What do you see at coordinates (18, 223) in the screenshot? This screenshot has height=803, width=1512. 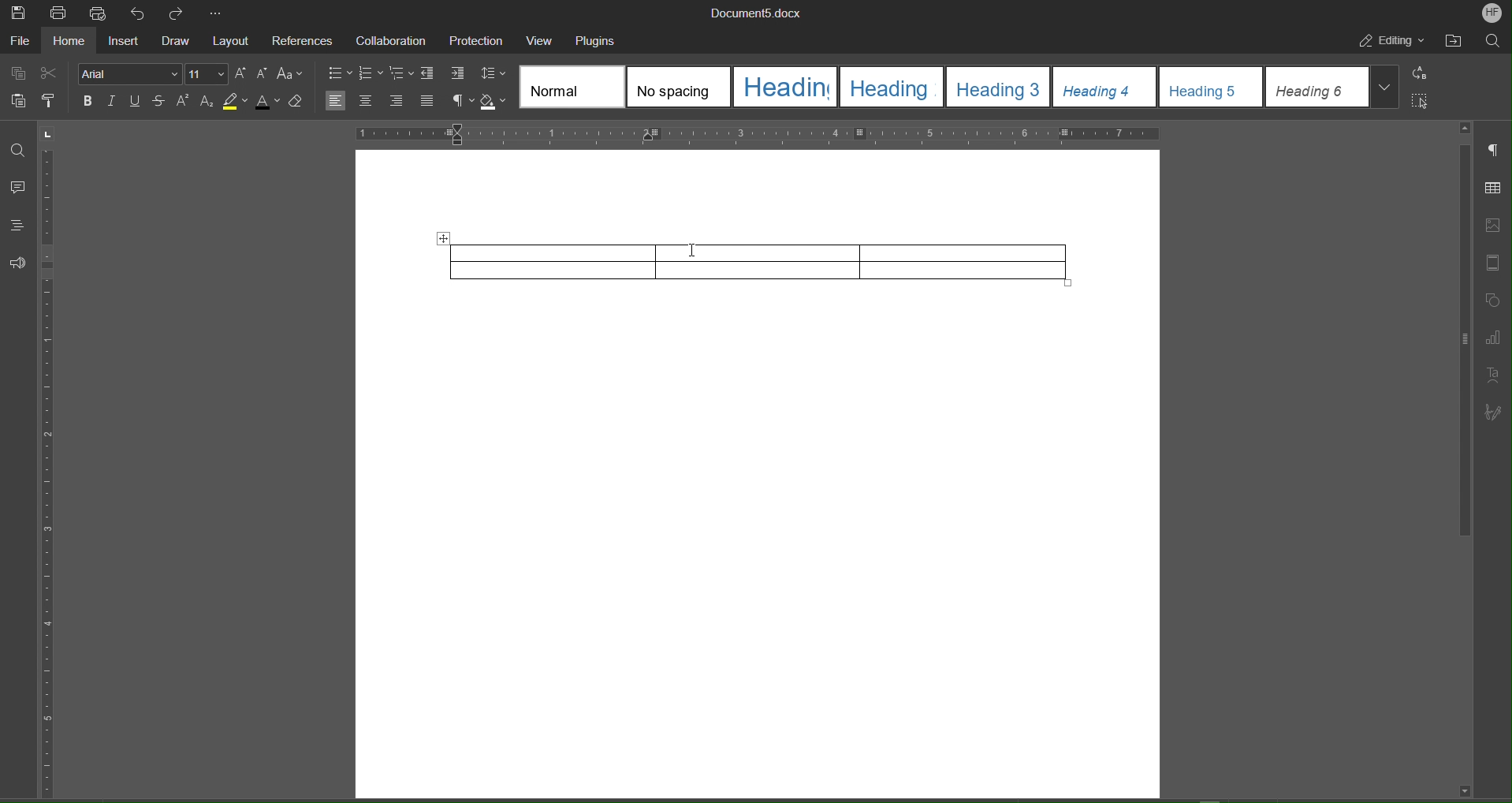 I see `Headings` at bounding box center [18, 223].